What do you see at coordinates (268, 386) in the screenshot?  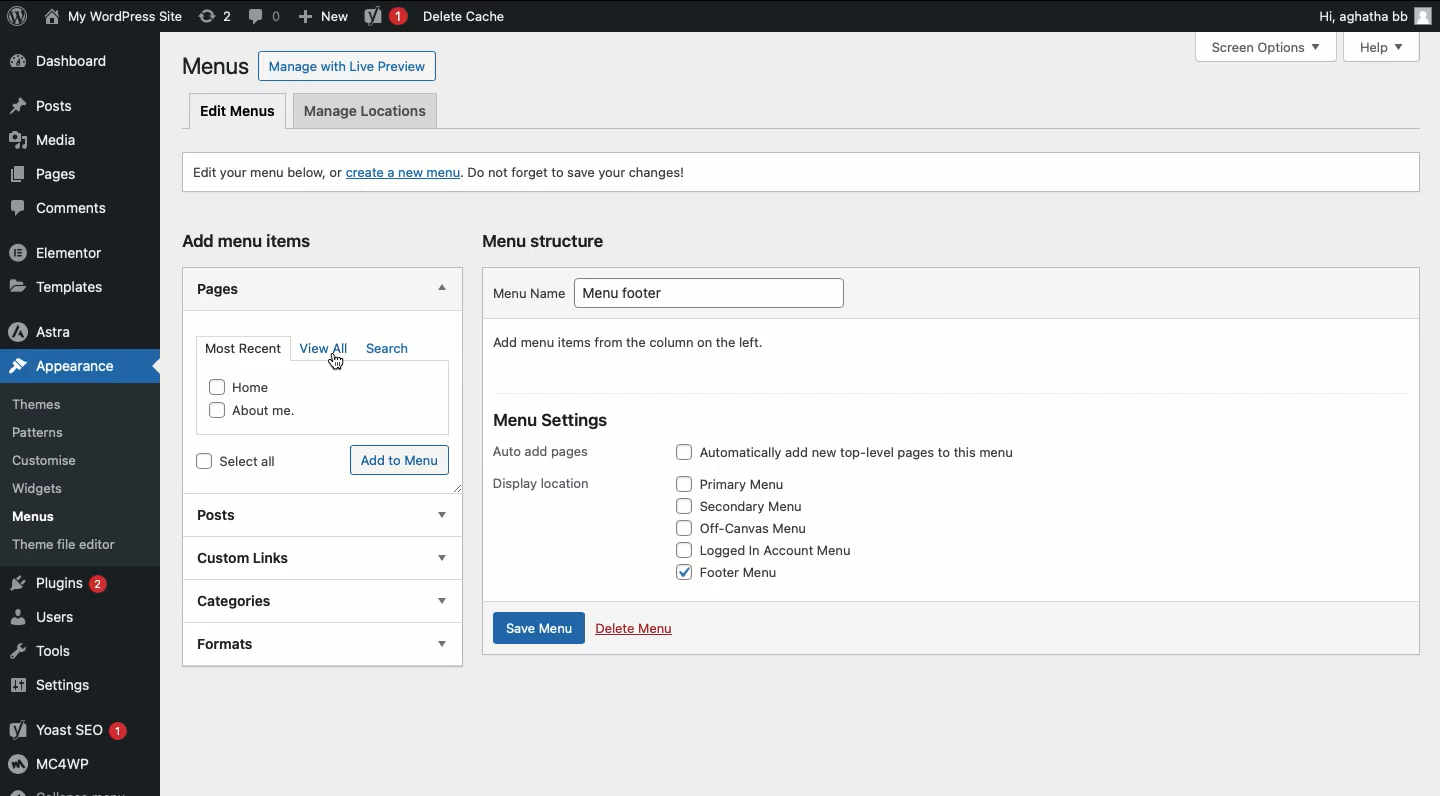 I see `Home` at bounding box center [268, 386].